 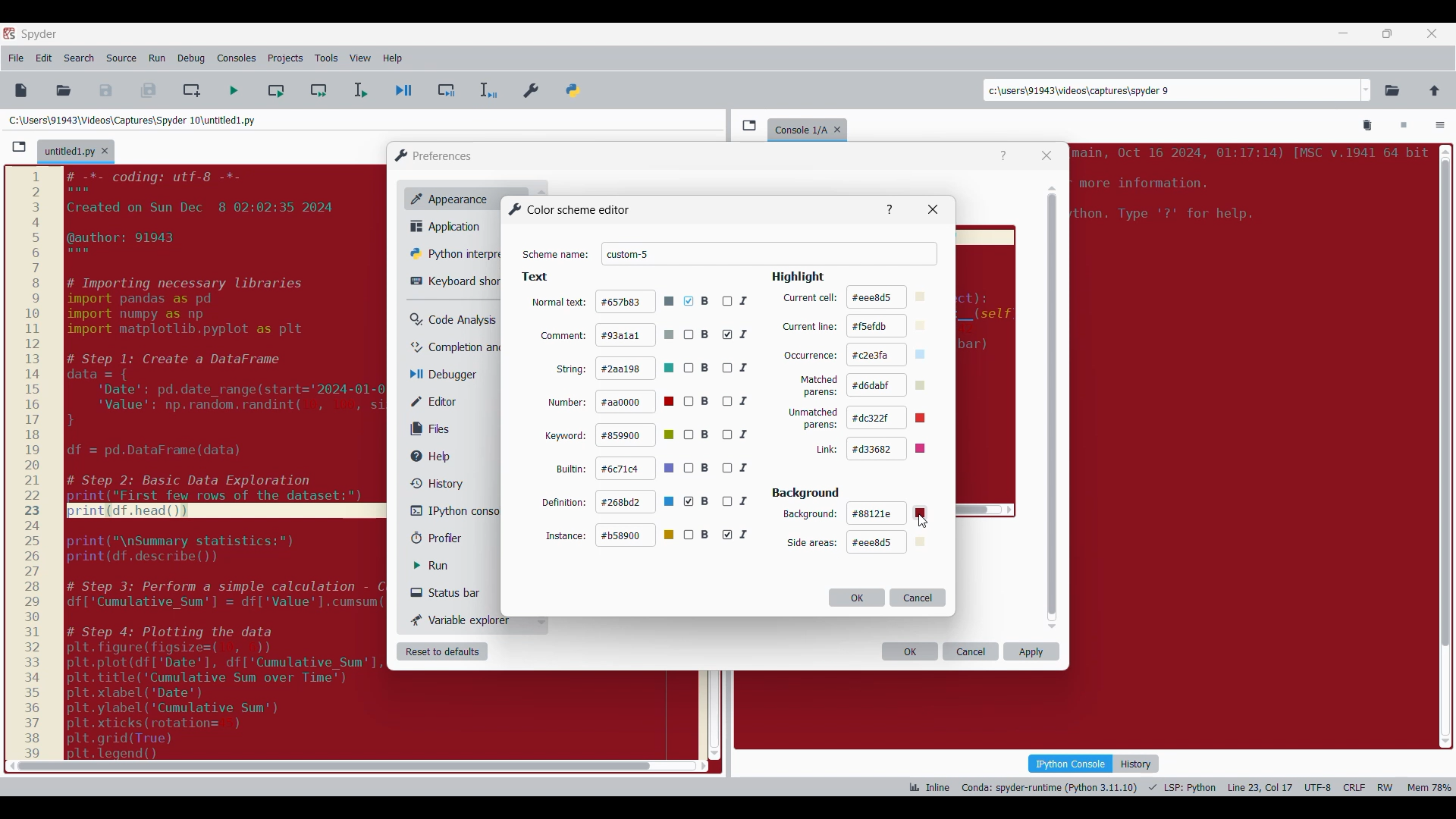 I want to click on I, so click(x=738, y=535).